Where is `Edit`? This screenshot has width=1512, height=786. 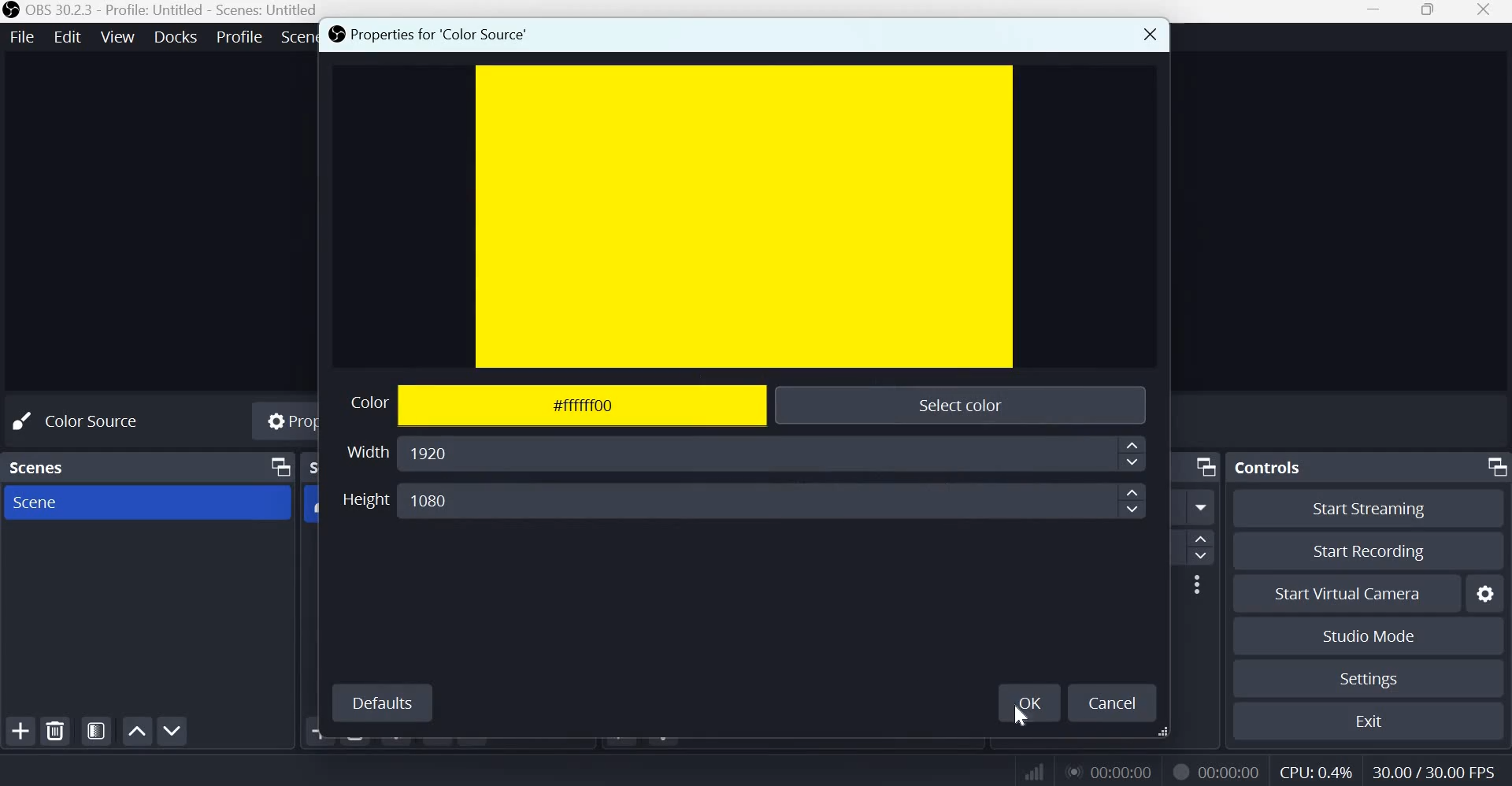 Edit is located at coordinates (69, 35).